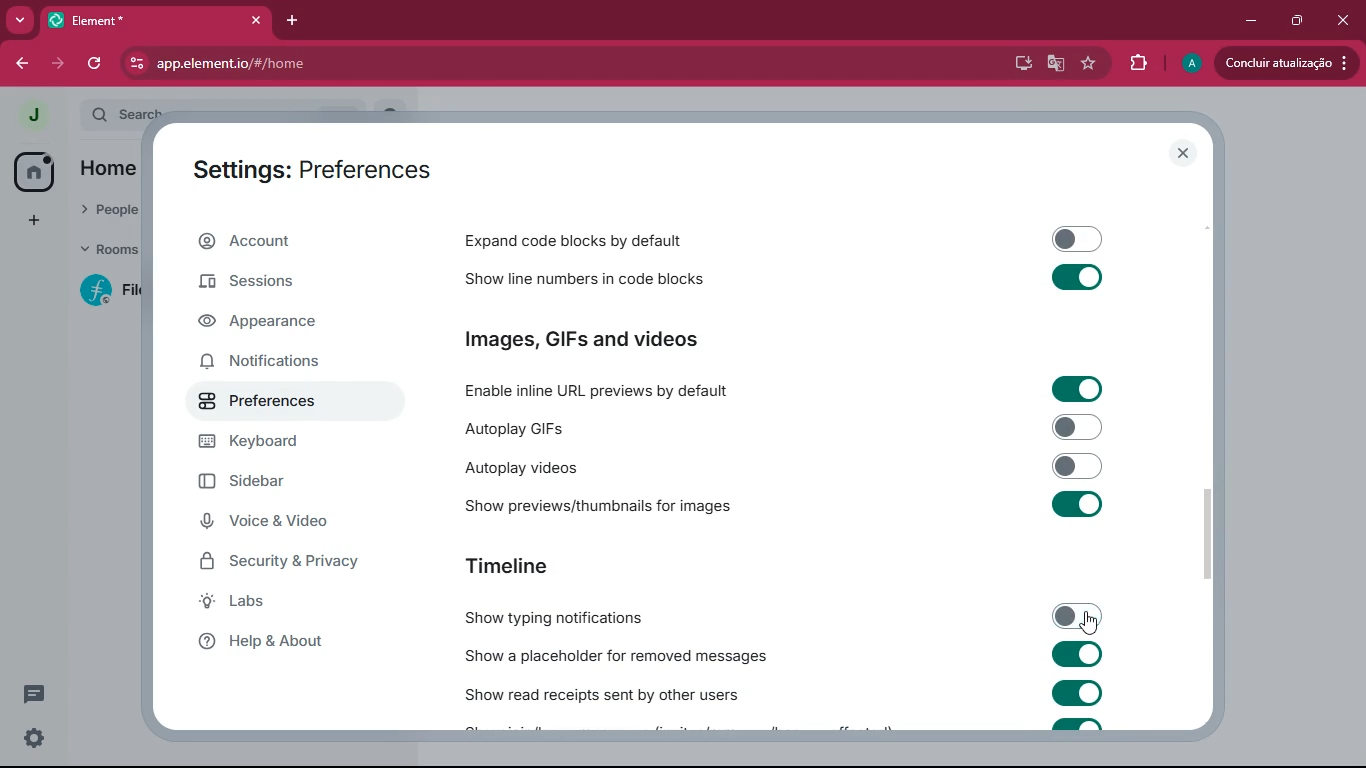 Image resolution: width=1366 pixels, height=768 pixels. I want to click on show previews/thumbnails for images, so click(605, 506).